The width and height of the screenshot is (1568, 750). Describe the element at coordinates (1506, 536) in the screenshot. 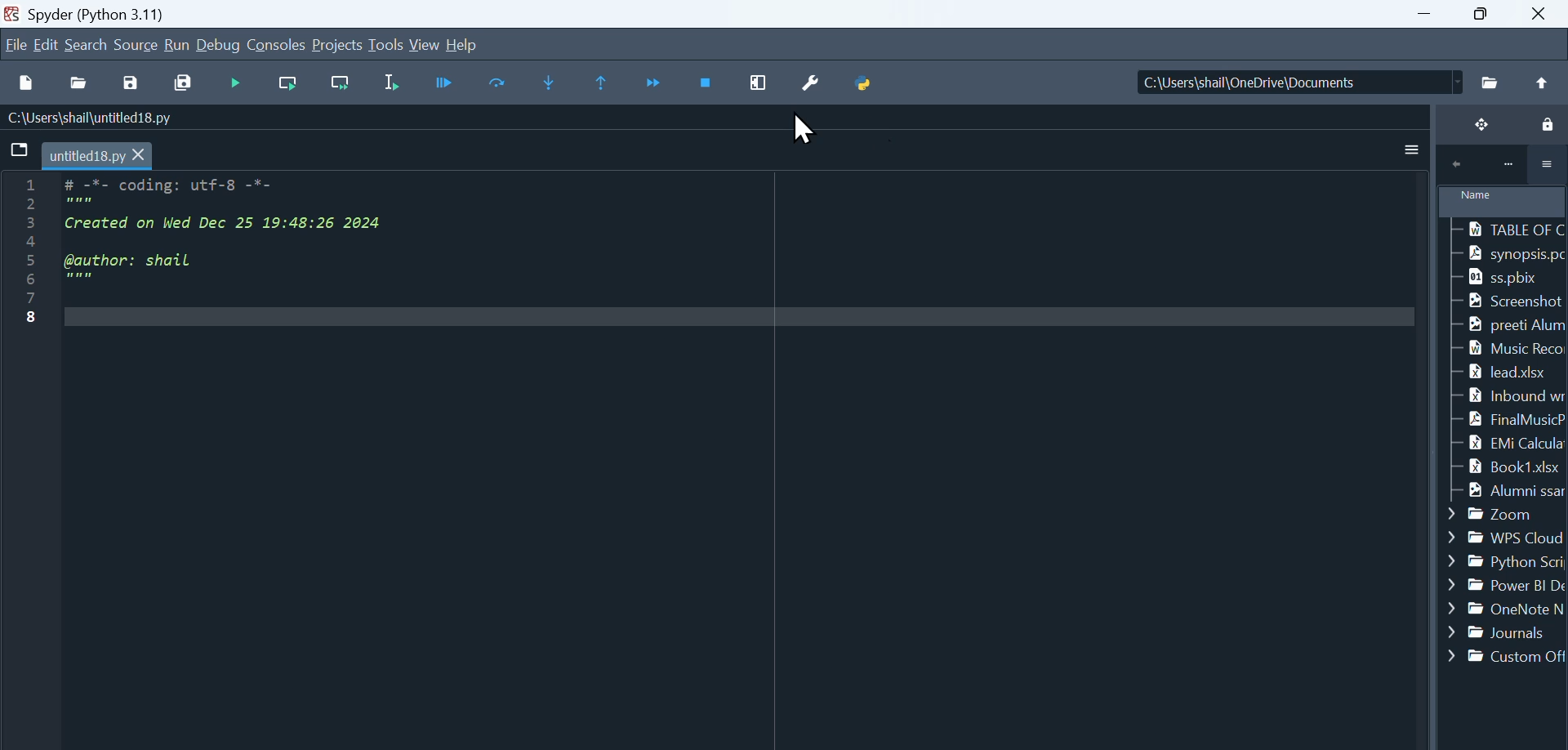

I see `WPS Clou..` at that location.